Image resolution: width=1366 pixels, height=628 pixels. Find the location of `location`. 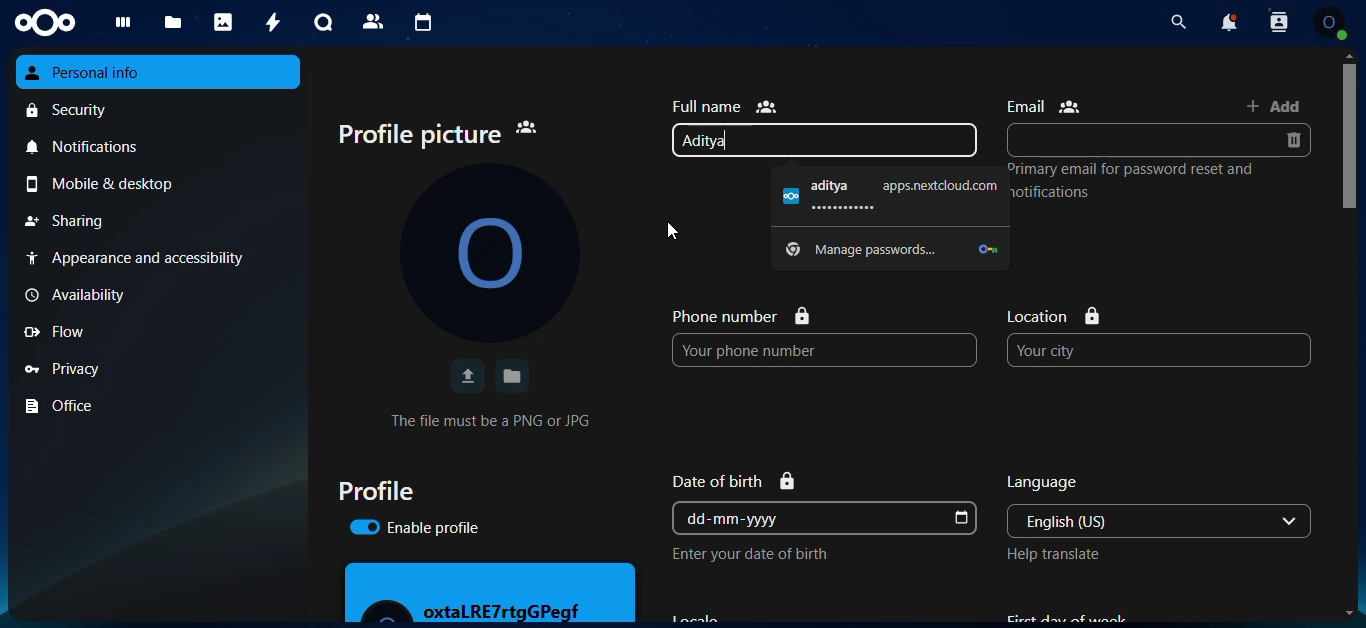

location is located at coordinates (1055, 316).